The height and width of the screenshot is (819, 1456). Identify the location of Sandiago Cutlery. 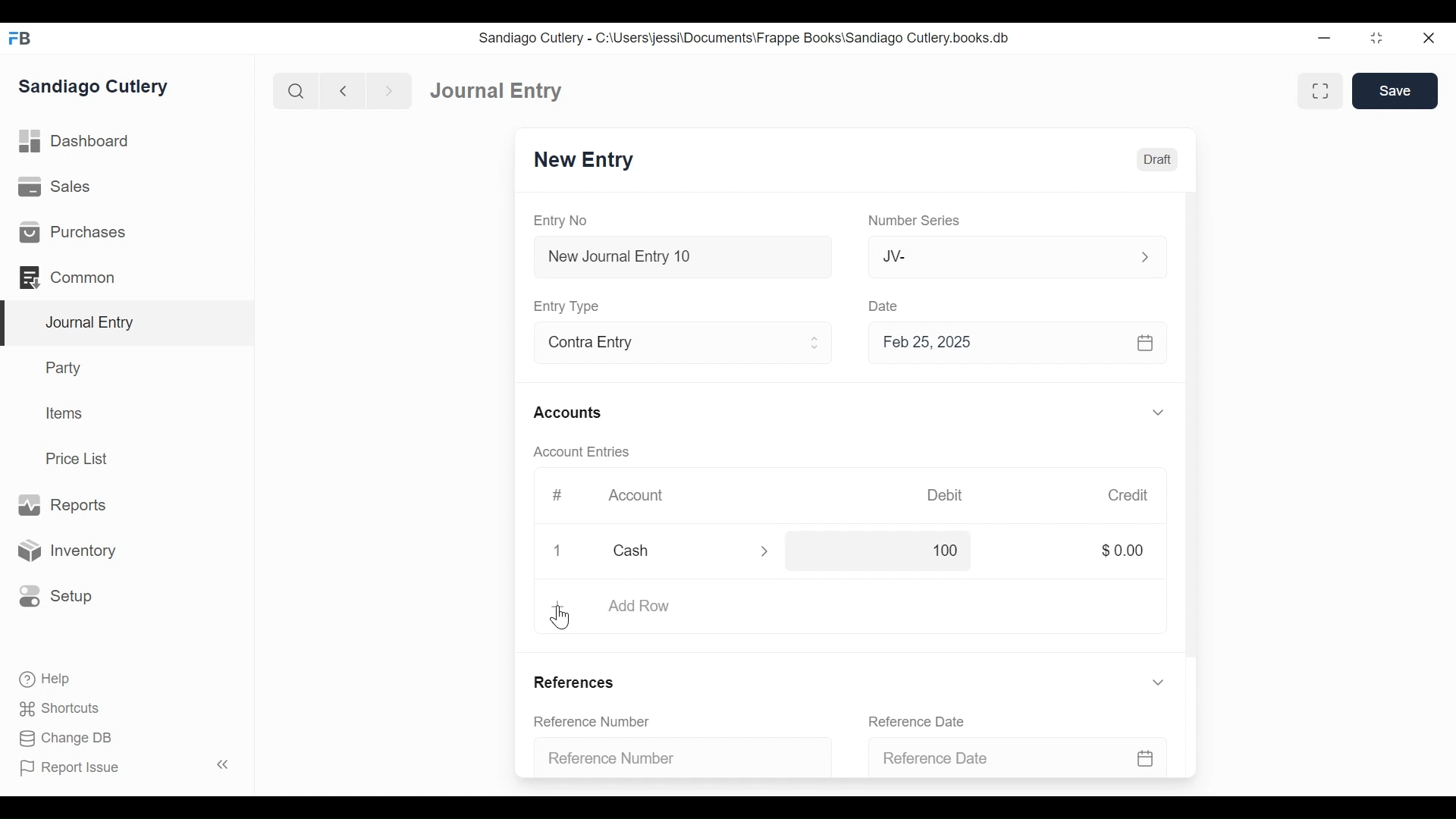
(94, 87).